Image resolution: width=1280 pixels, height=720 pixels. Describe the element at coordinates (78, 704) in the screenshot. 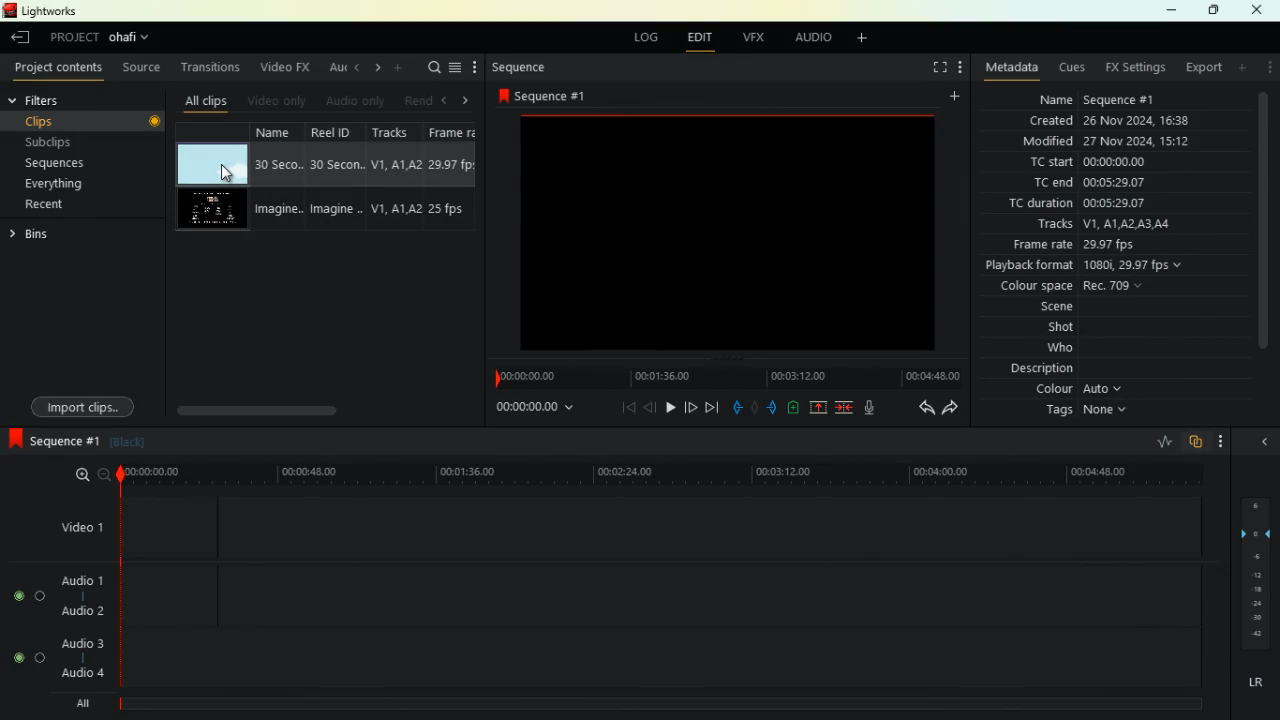

I see `all` at that location.